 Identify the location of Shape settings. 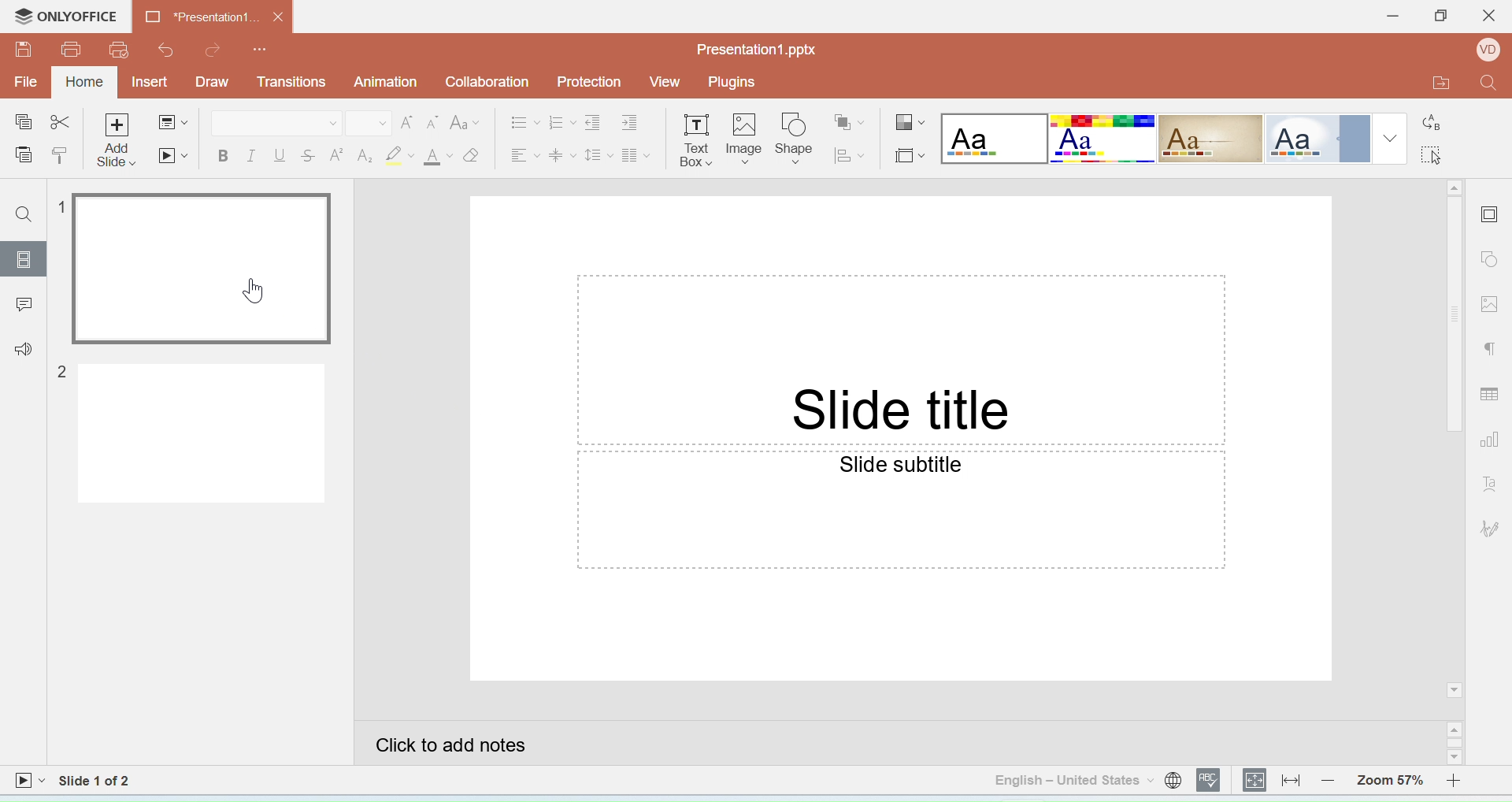
(1493, 261).